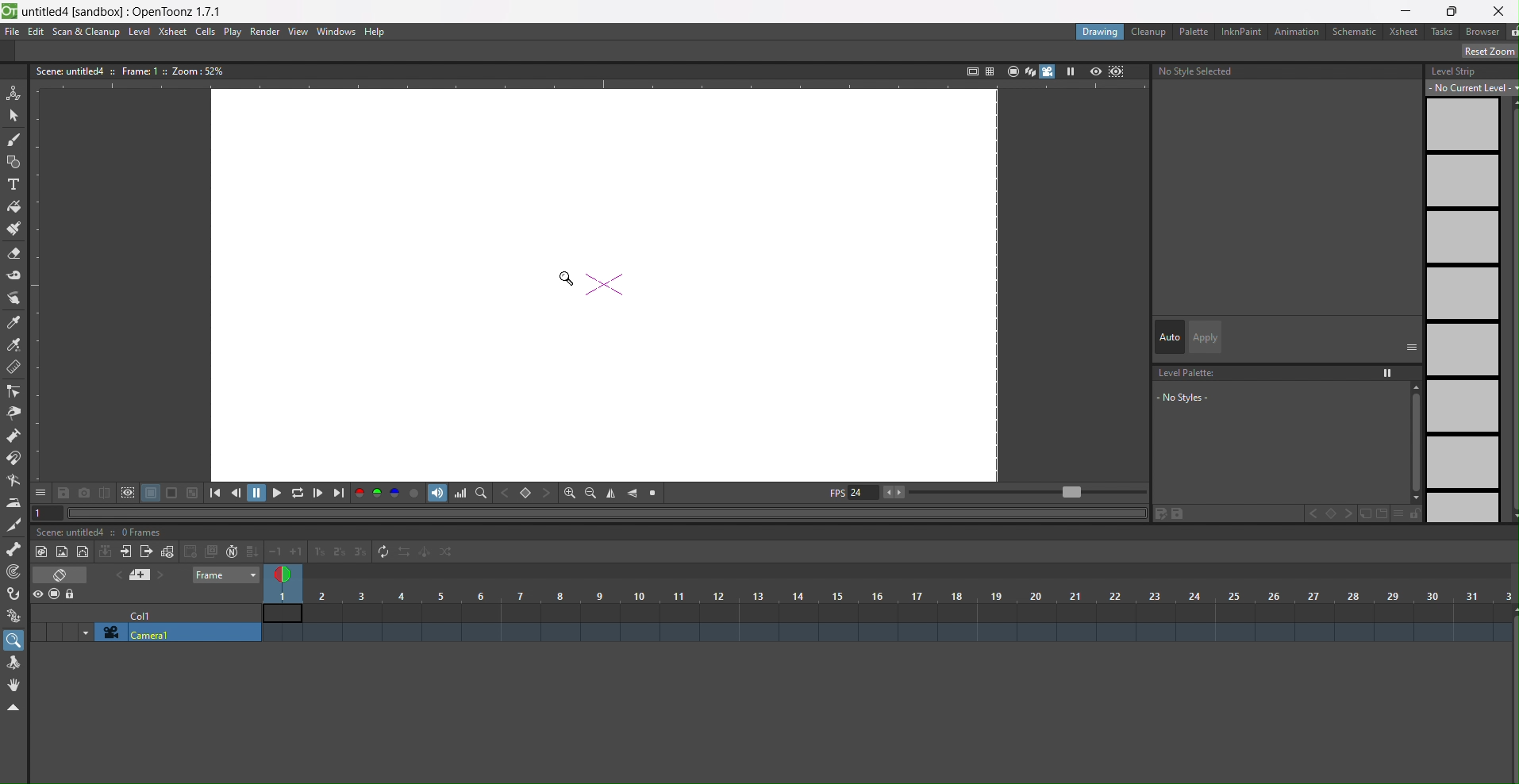 This screenshot has height=784, width=1519. I want to click on zoom out, so click(590, 492).